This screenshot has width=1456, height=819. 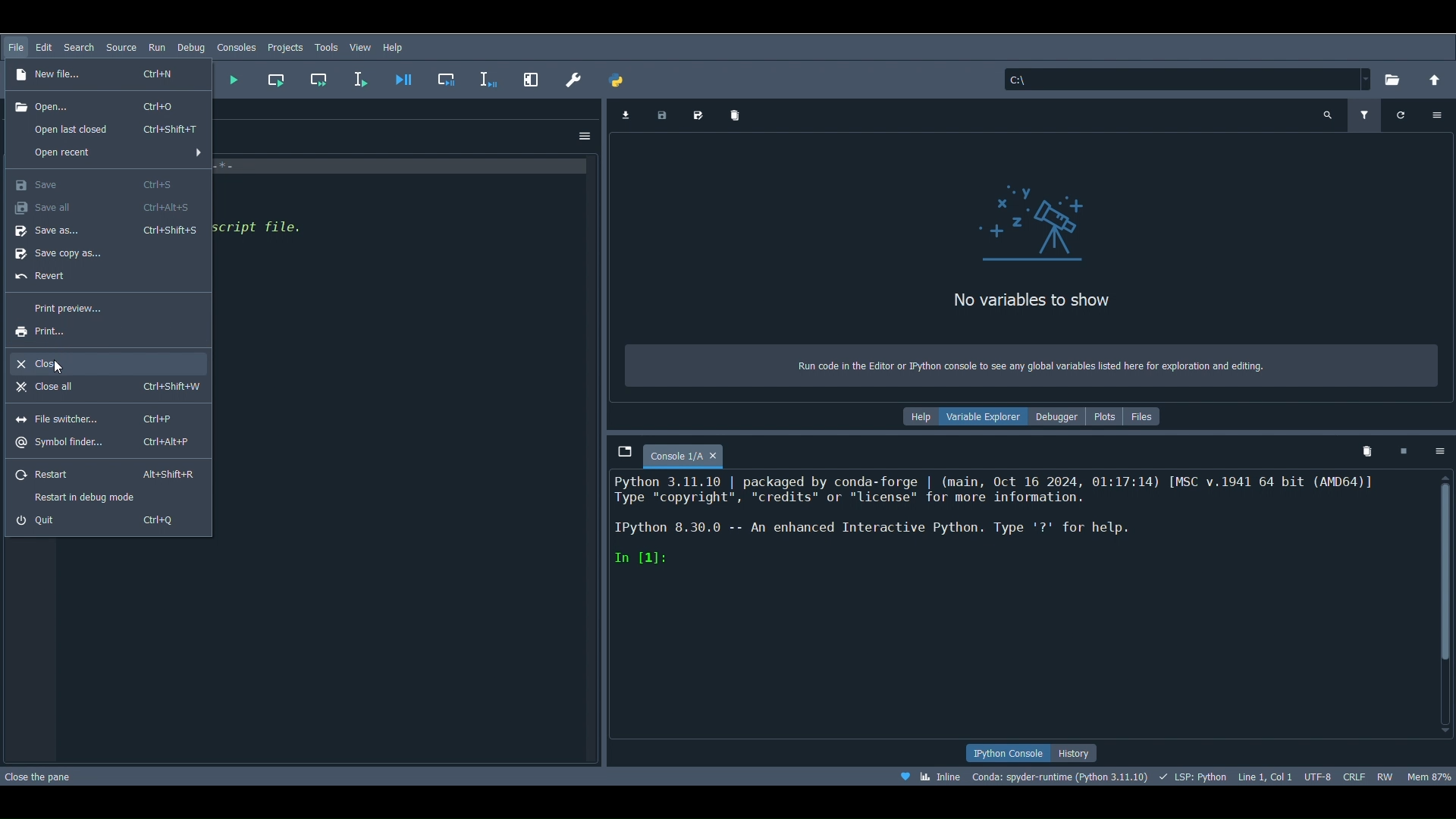 What do you see at coordinates (618, 79) in the screenshot?
I see `PYTHONPATH manager` at bounding box center [618, 79].